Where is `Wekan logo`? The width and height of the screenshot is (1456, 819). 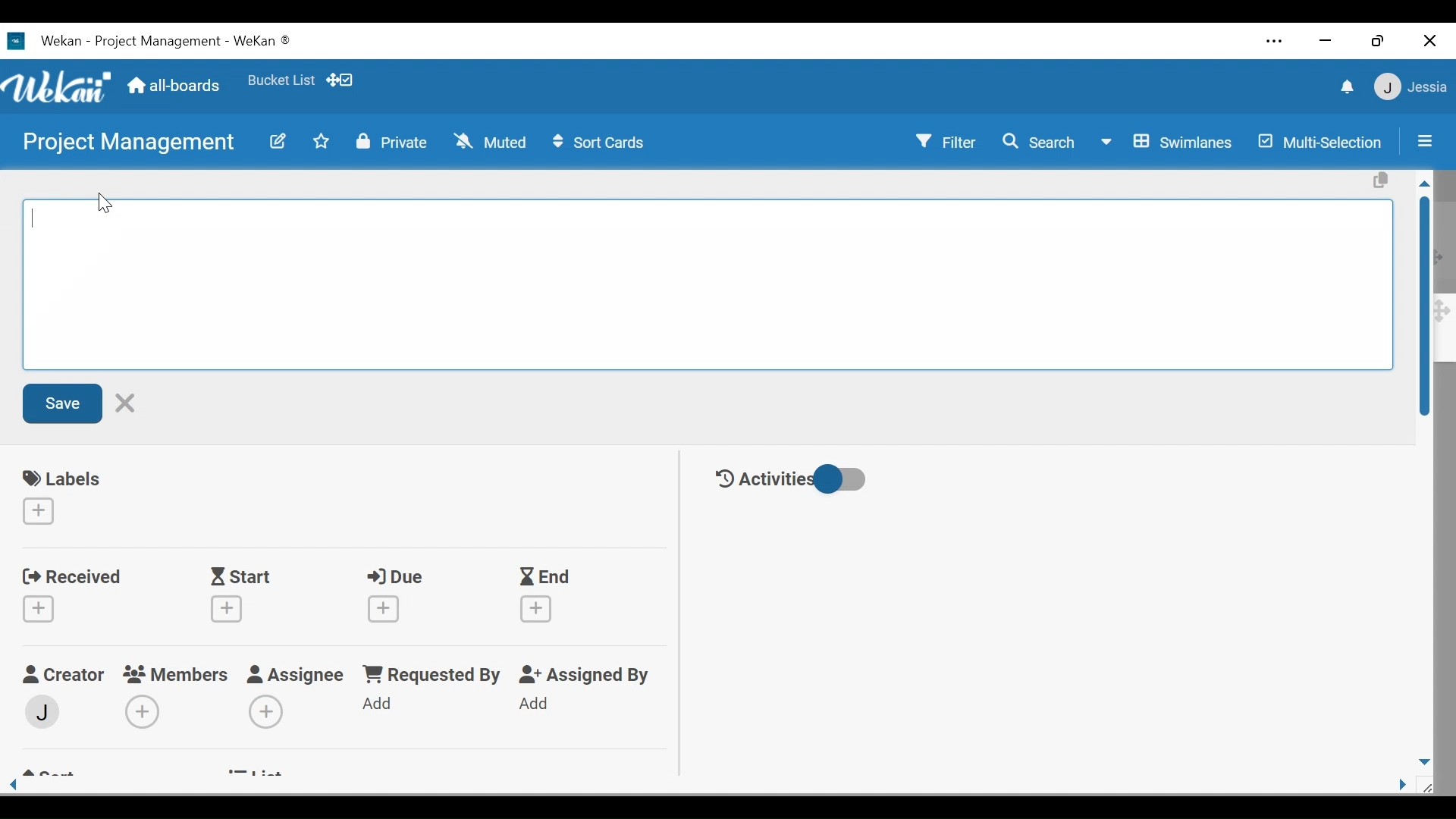
Wekan logo is located at coordinates (58, 86).